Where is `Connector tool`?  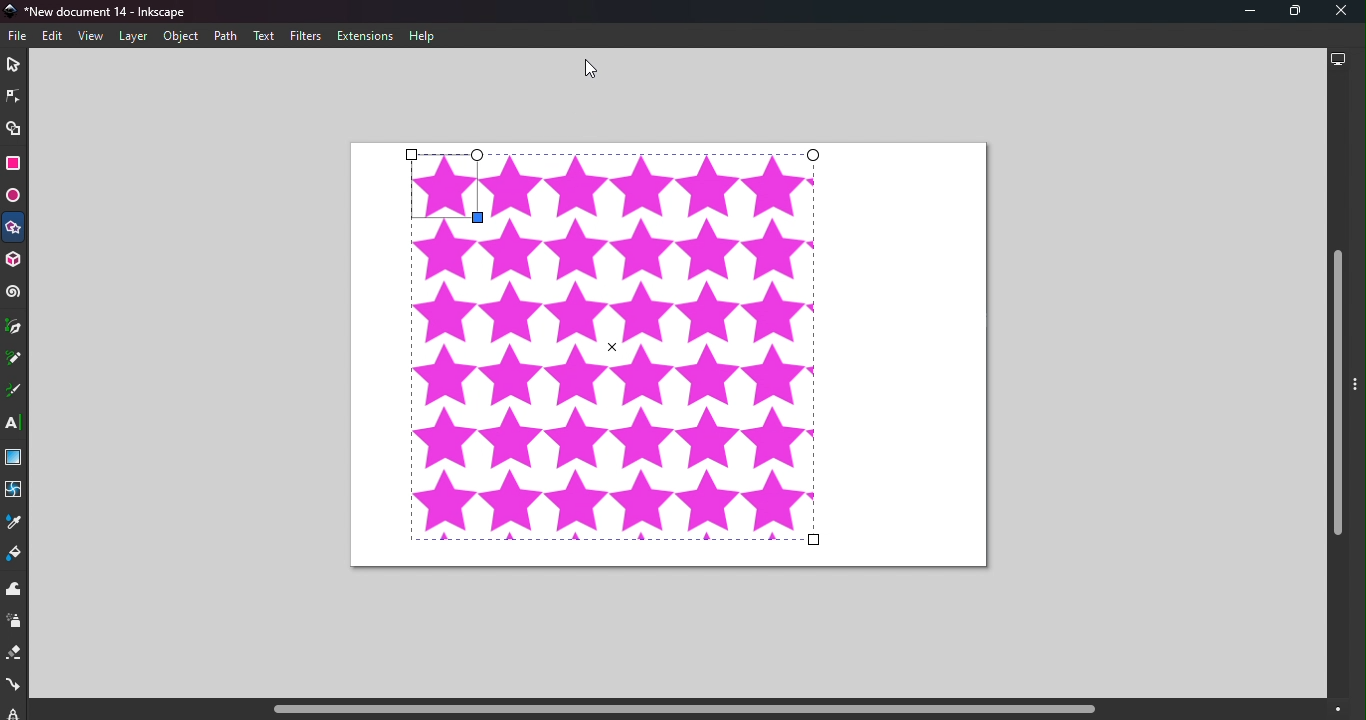 Connector tool is located at coordinates (13, 687).